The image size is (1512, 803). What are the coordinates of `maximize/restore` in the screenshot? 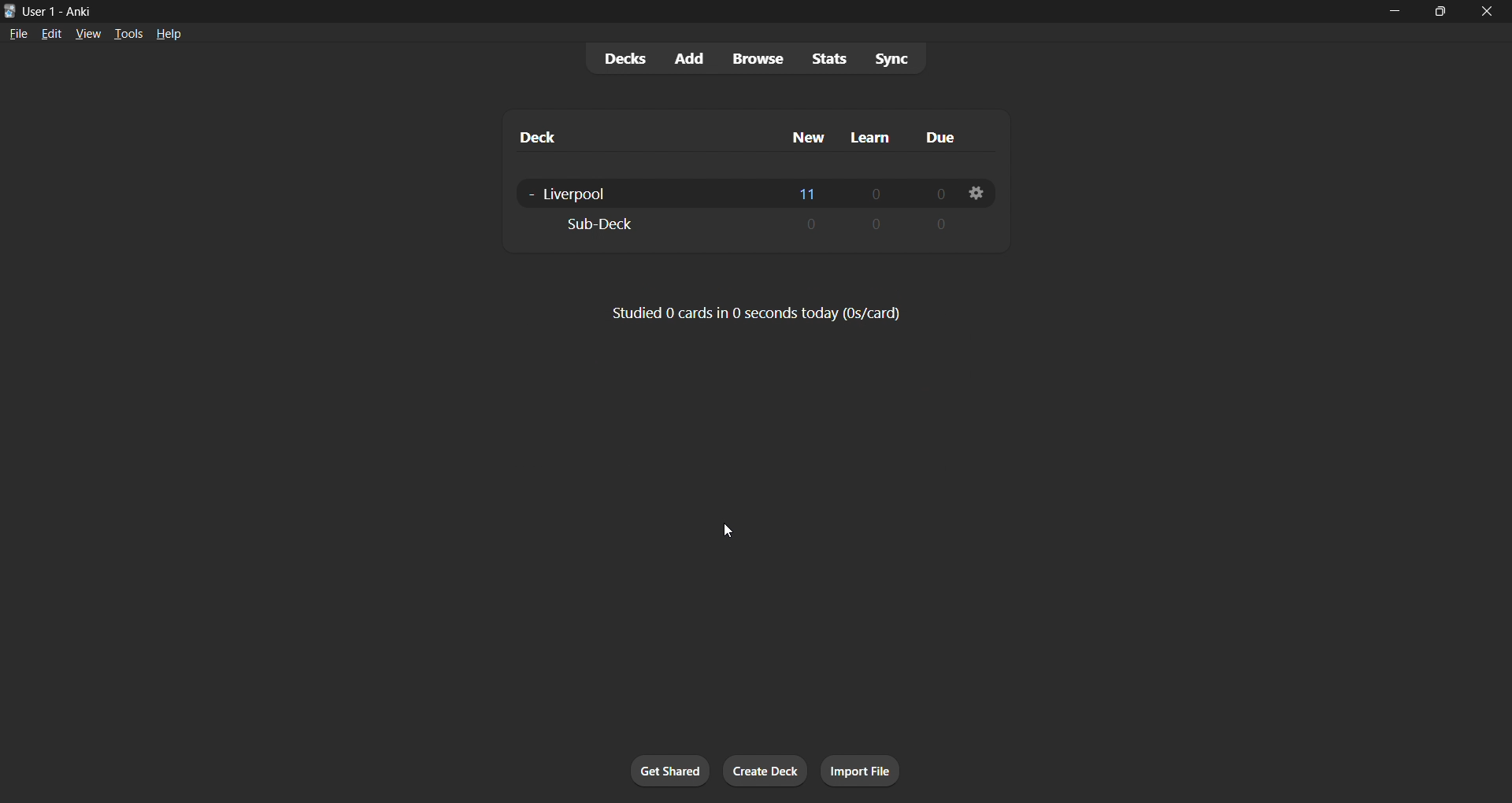 It's located at (1443, 12).